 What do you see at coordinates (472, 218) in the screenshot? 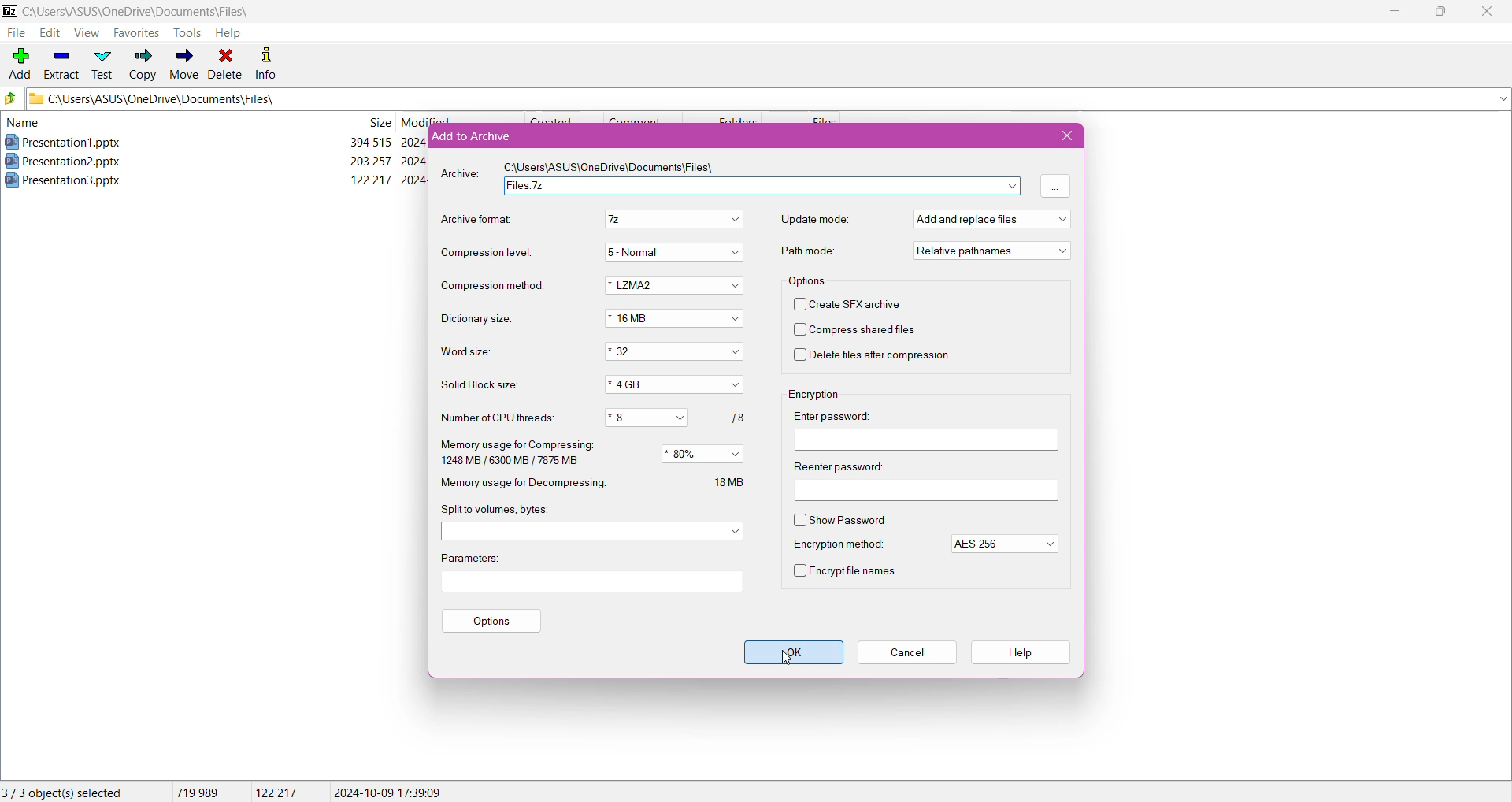
I see `Archive Format` at bounding box center [472, 218].